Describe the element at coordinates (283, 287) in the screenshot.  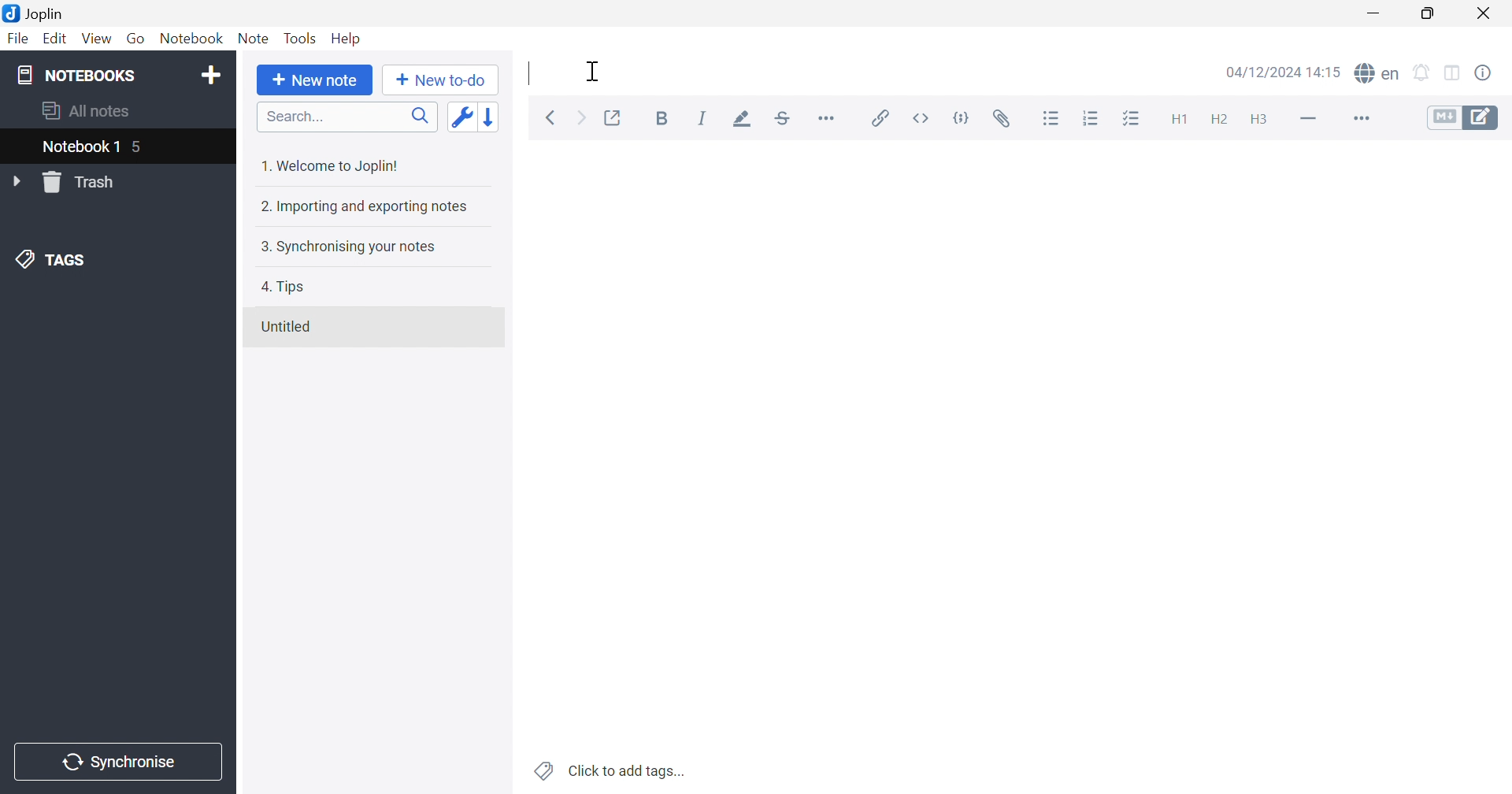
I see `4. Tips` at that location.